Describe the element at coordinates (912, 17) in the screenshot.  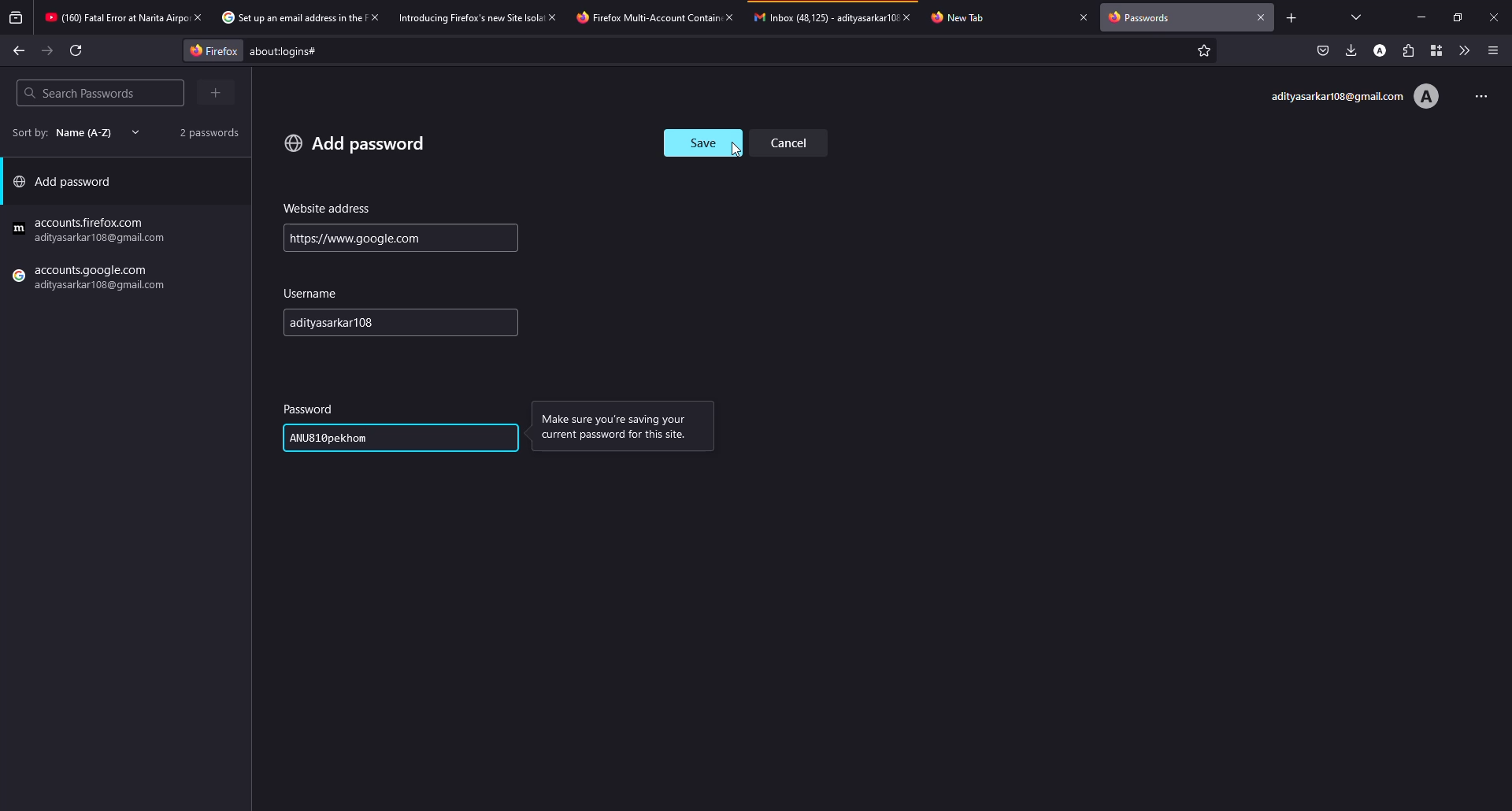
I see `close` at that location.